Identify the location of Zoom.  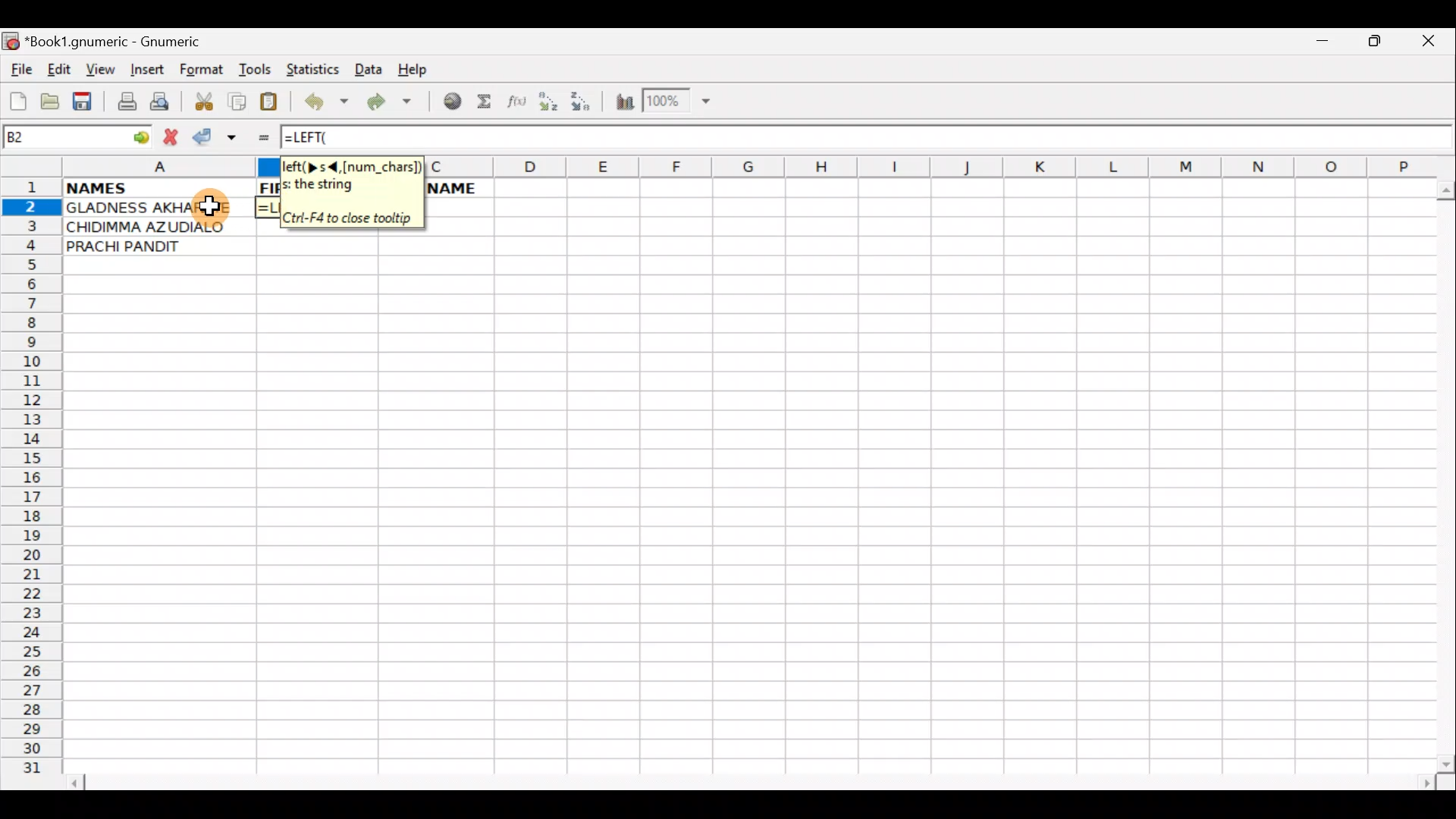
(679, 103).